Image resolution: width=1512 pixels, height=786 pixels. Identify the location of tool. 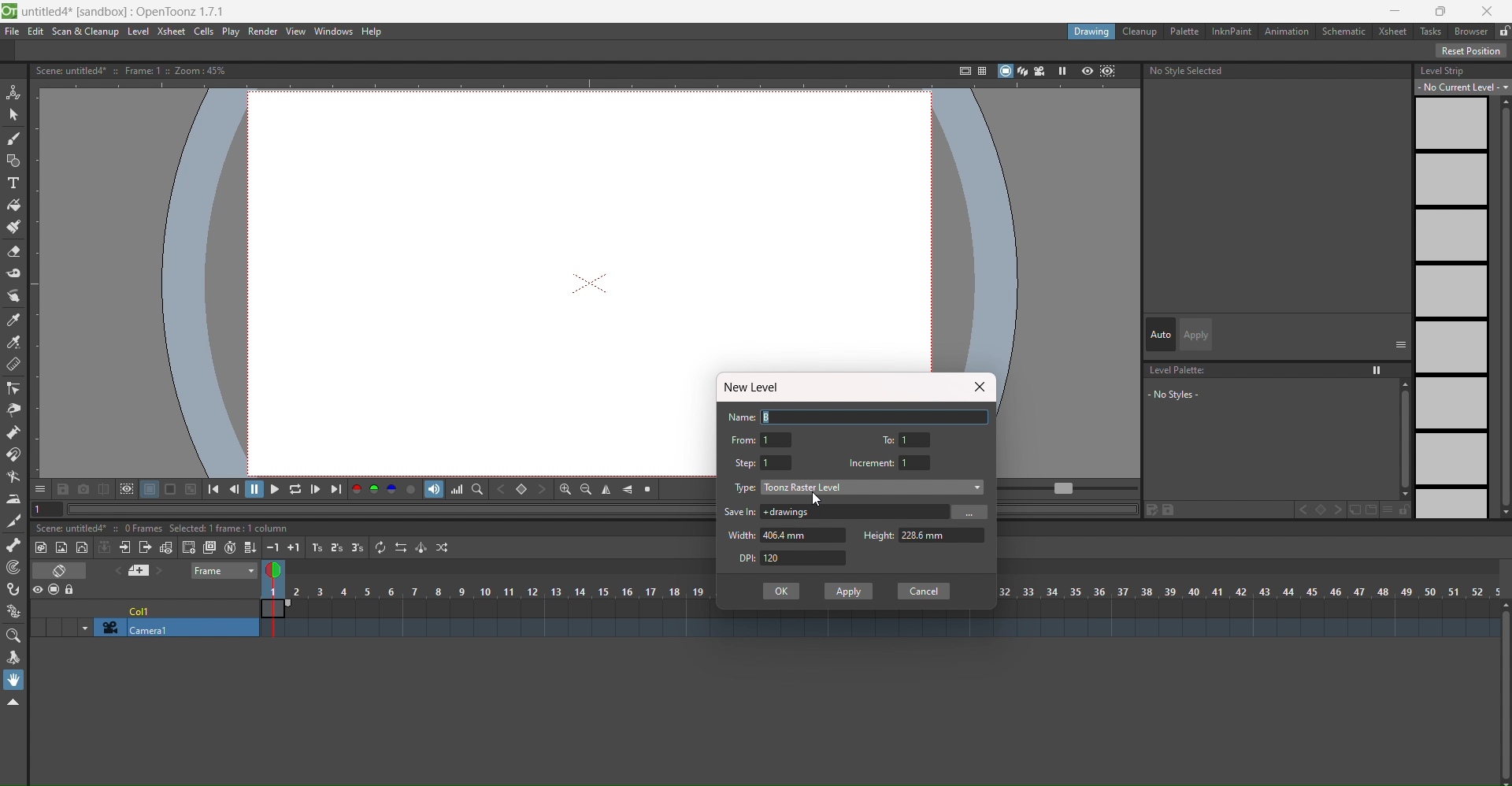
(150, 489).